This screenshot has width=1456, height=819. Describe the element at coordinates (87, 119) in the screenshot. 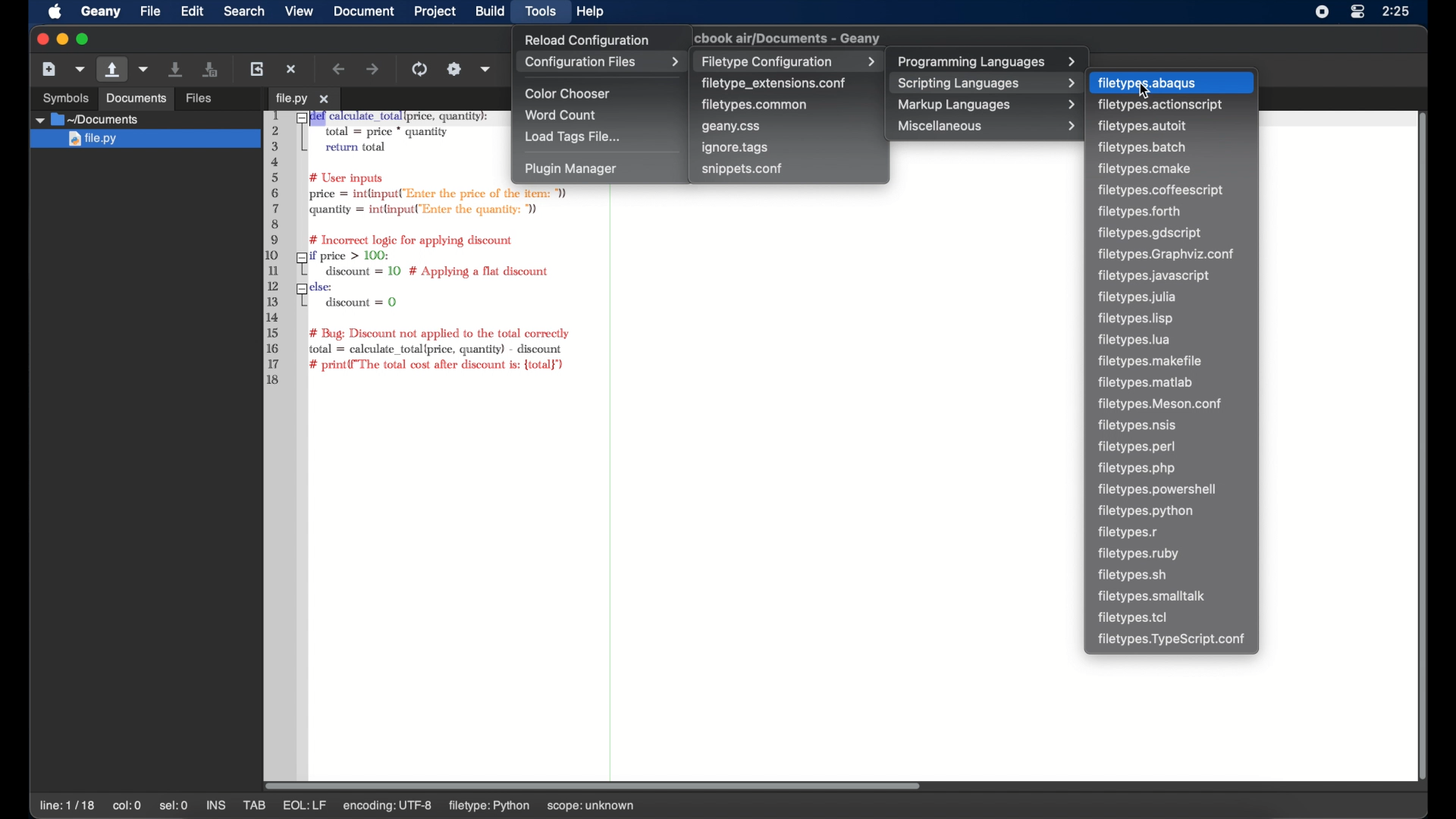

I see `documents` at that location.